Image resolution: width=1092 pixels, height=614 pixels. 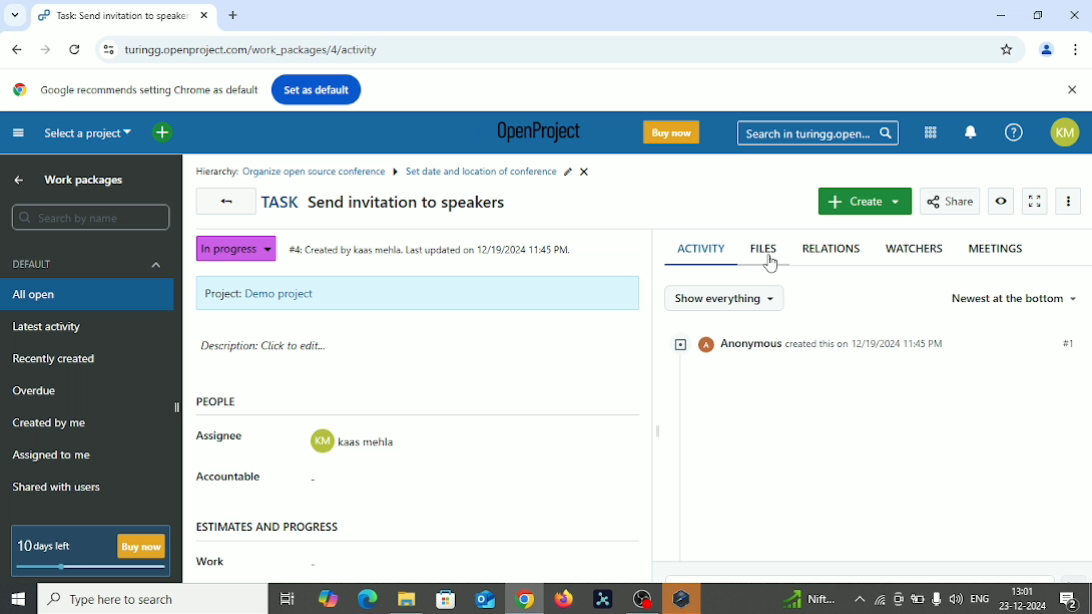 I want to click on Close, so click(x=1072, y=91).